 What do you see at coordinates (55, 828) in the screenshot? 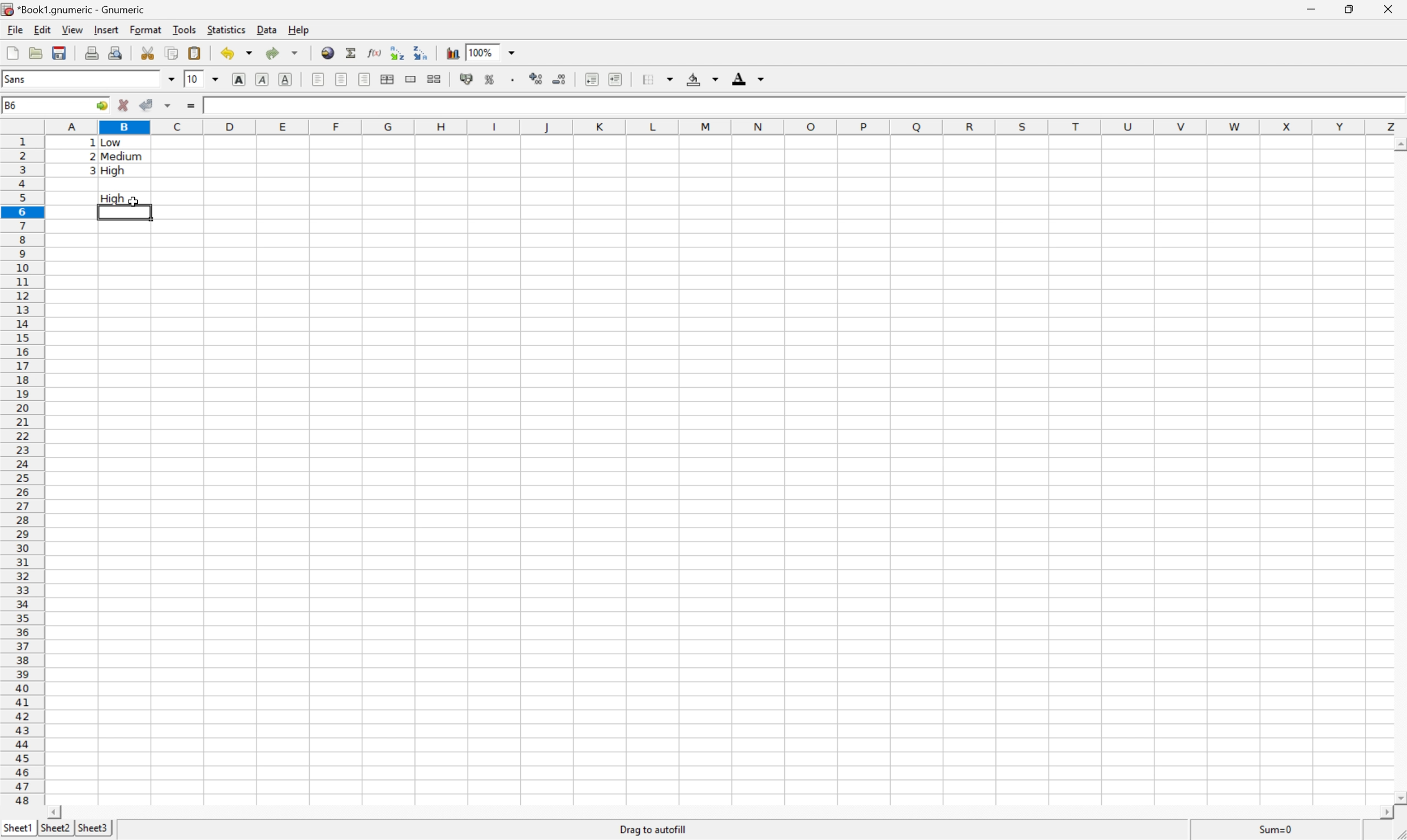
I see `Sheet2` at bounding box center [55, 828].